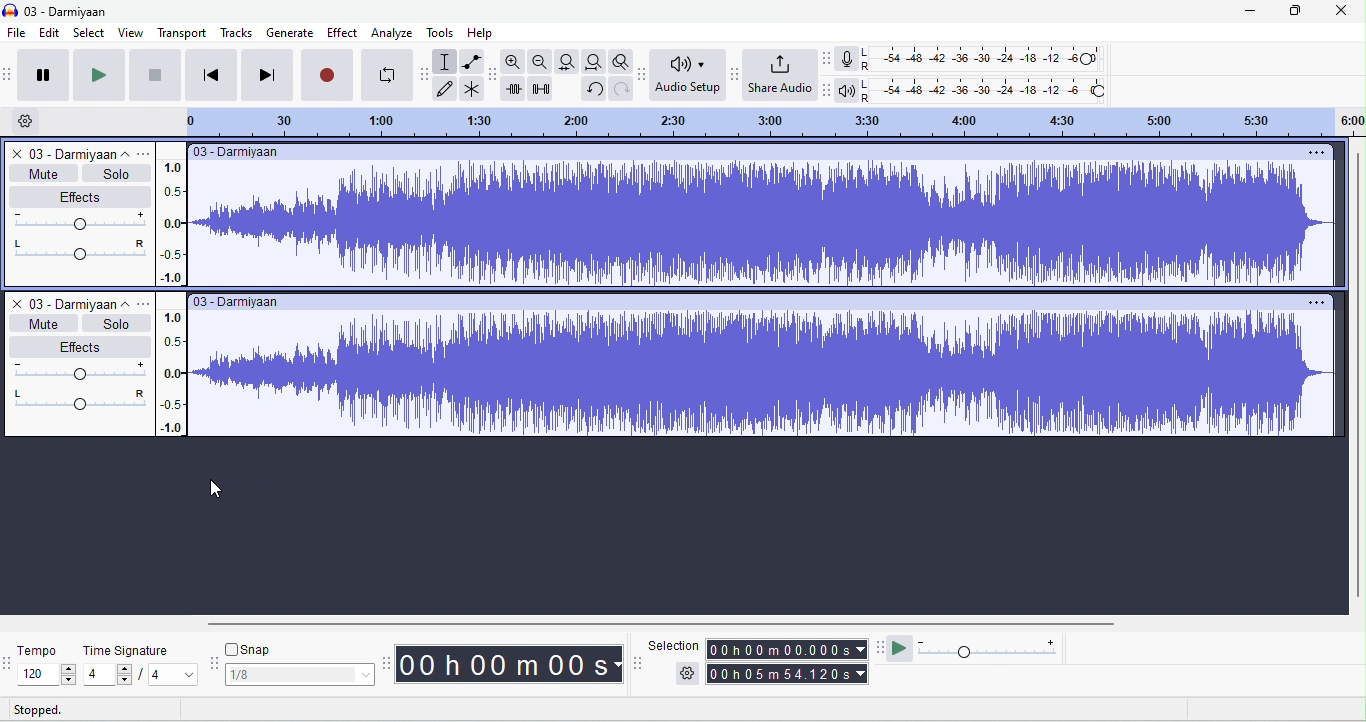 This screenshot has width=1366, height=722. I want to click on solo, so click(119, 174).